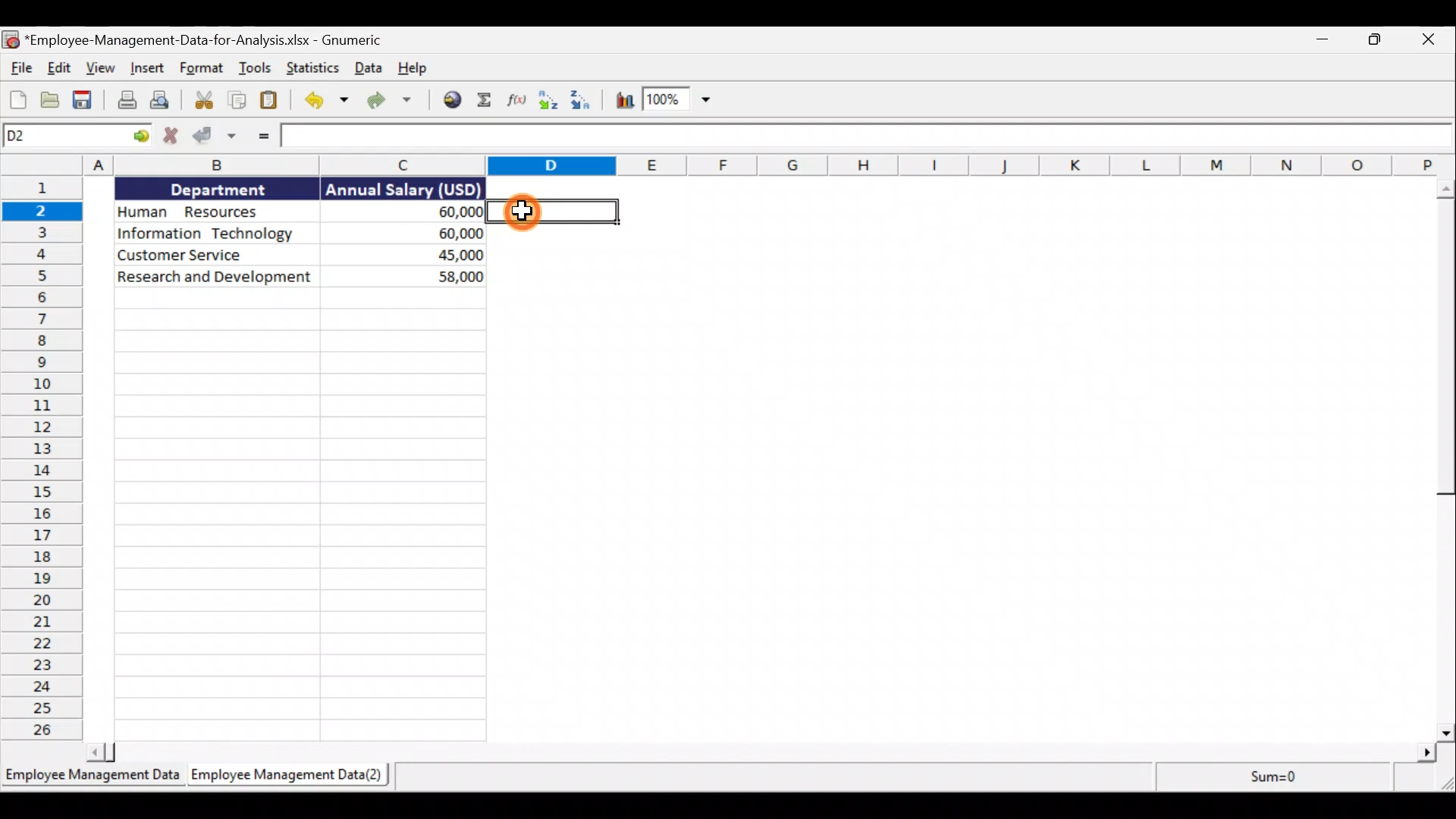 The height and width of the screenshot is (819, 1456). What do you see at coordinates (53, 99) in the screenshot?
I see `Open a file` at bounding box center [53, 99].